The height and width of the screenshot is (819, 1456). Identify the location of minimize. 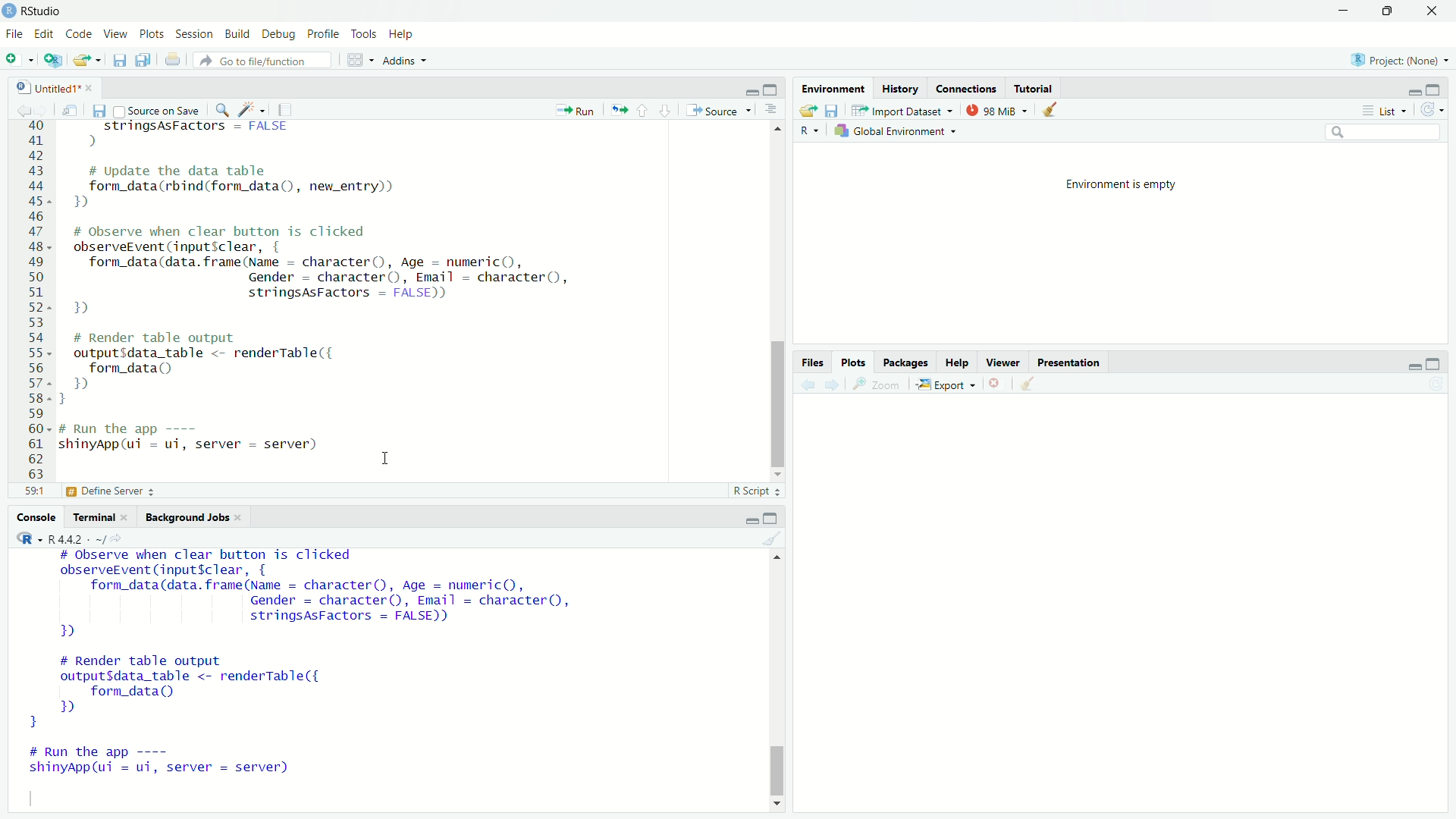
(1346, 10).